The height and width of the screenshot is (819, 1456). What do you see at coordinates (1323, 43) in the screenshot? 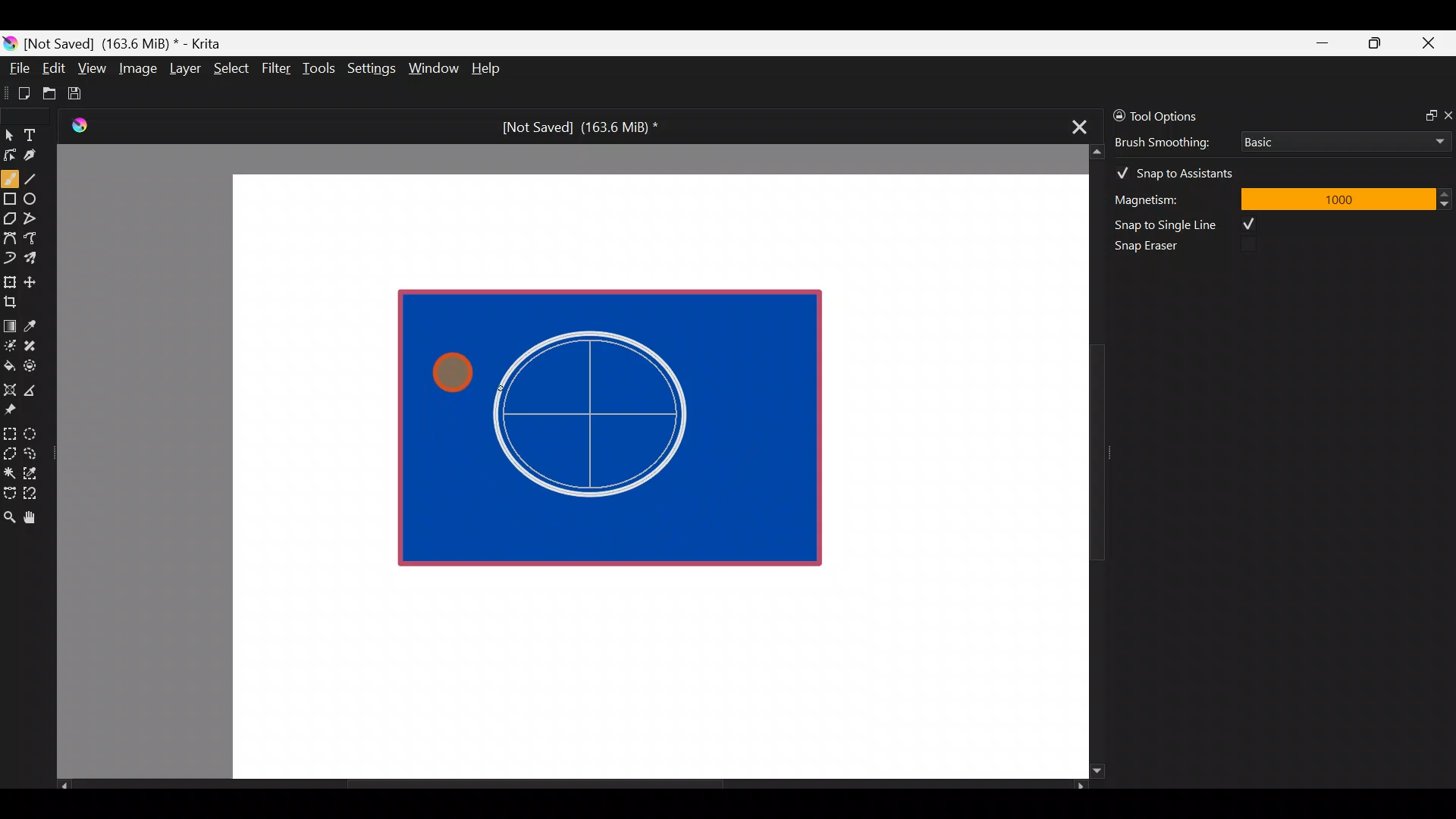
I see `Minimize` at bounding box center [1323, 43].